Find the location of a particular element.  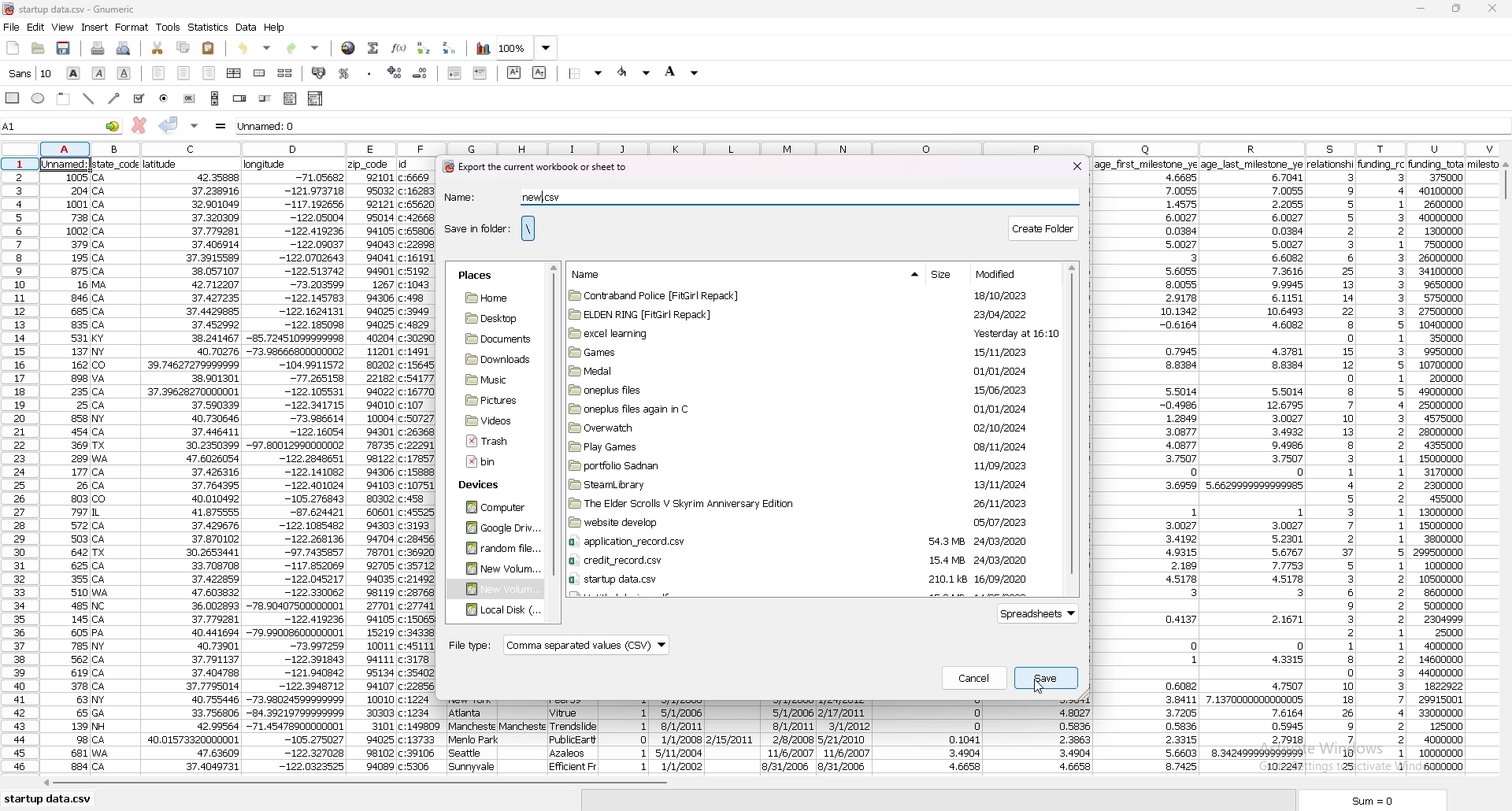

data is located at coordinates (679, 734).